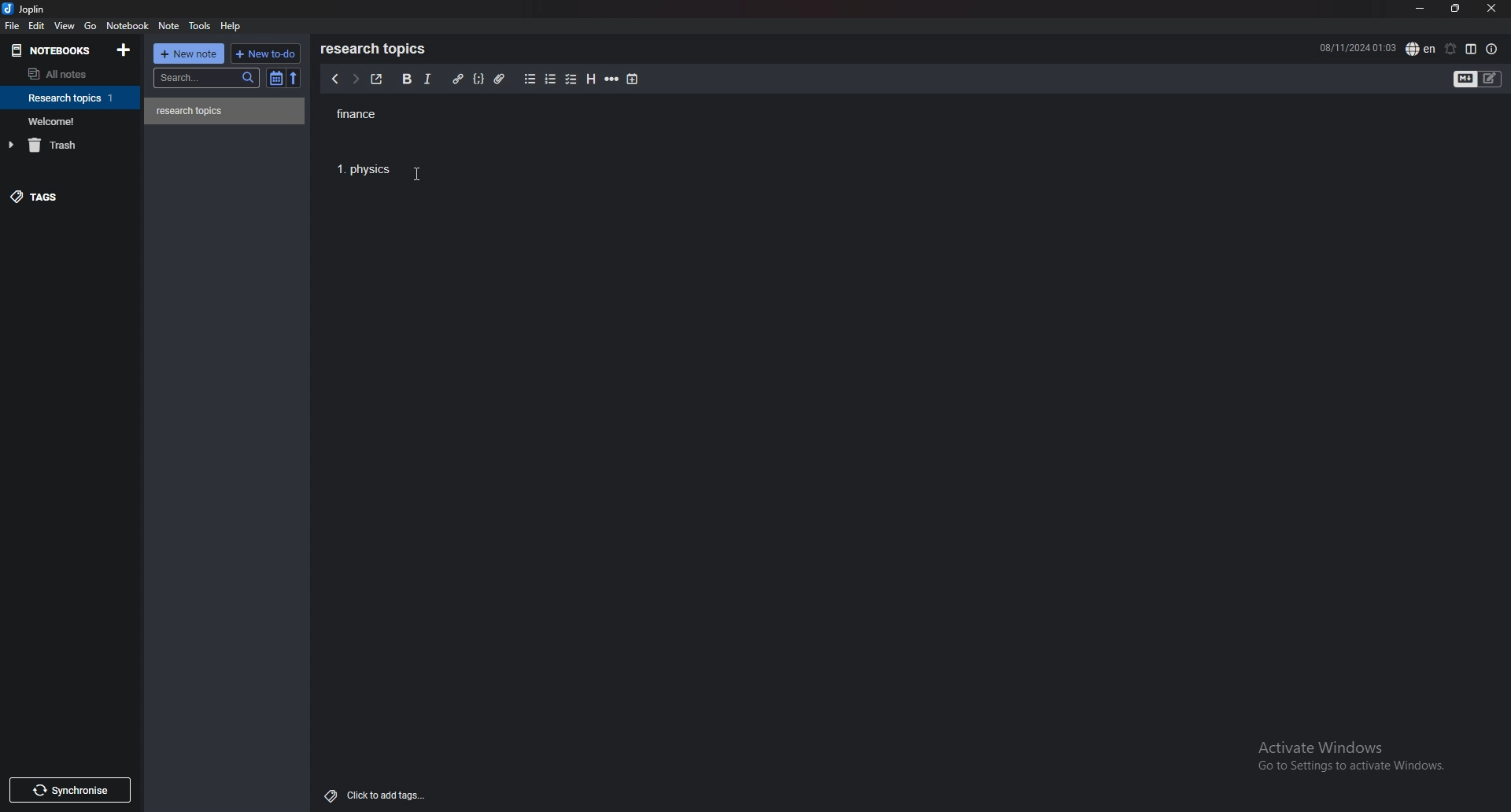  I want to click on Synchronise, so click(73, 789).